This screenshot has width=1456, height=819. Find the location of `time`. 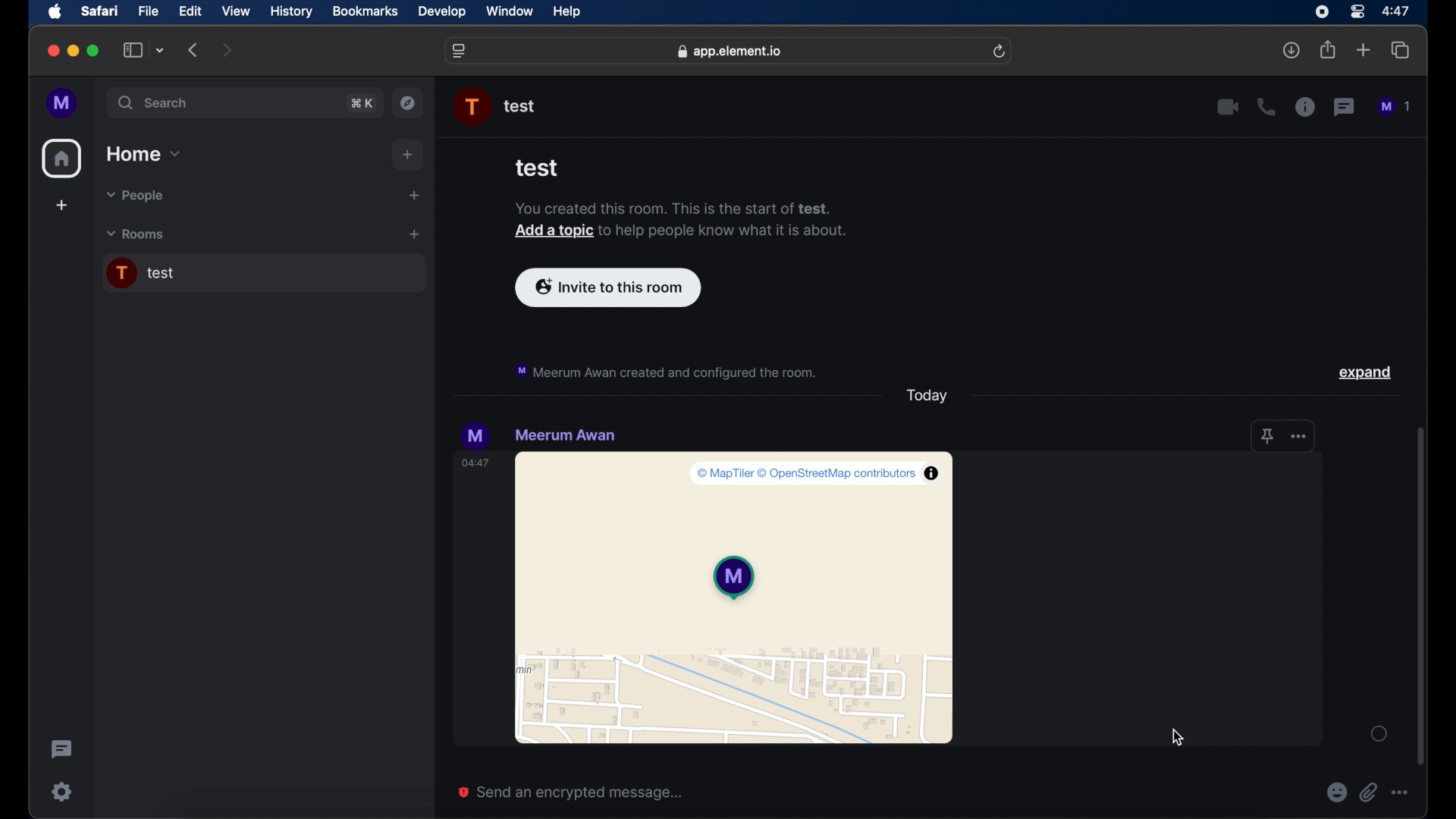

time is located at coordinates (477, 464).